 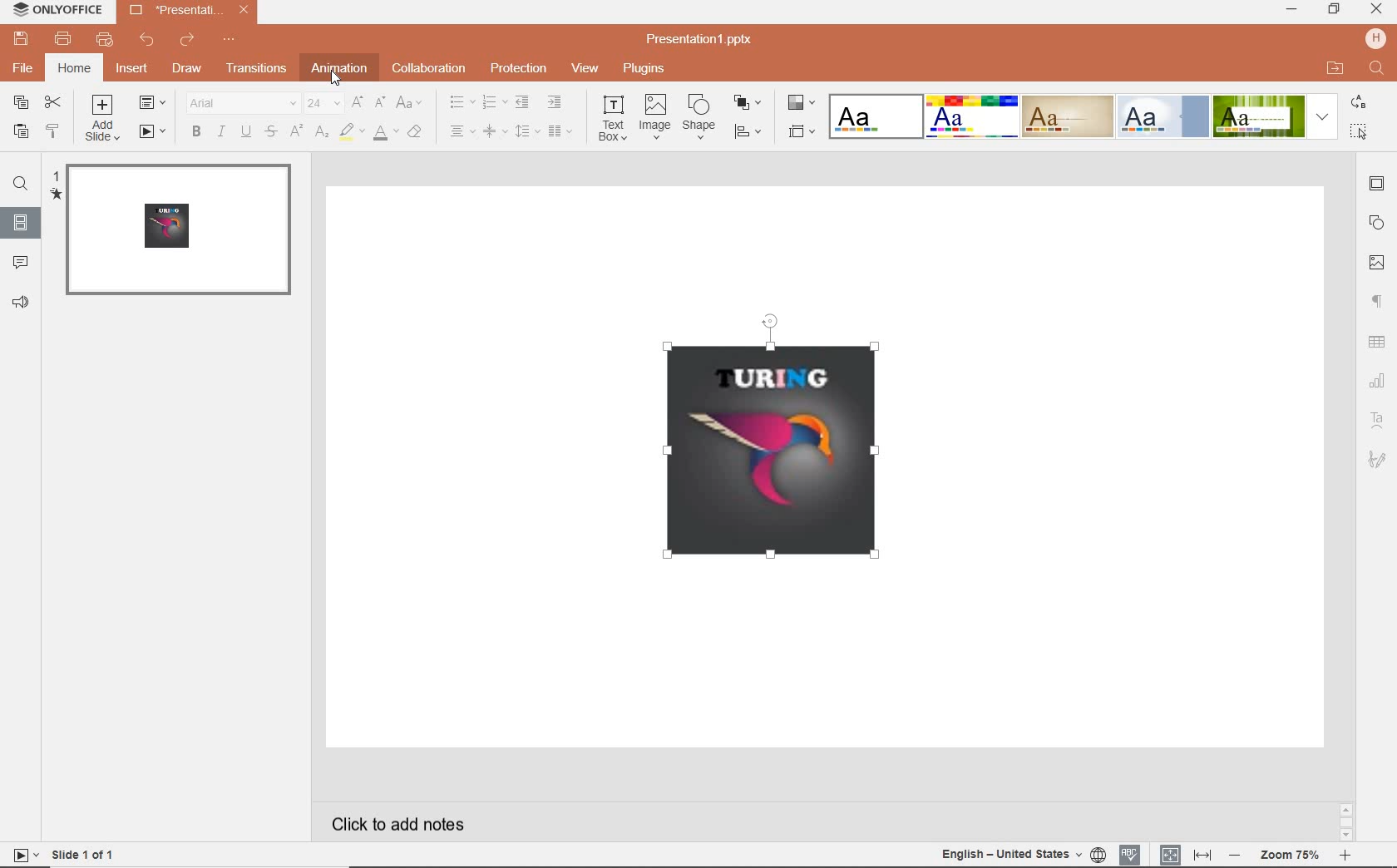 I want to click on horizontal align, so click(x=460, y=131).